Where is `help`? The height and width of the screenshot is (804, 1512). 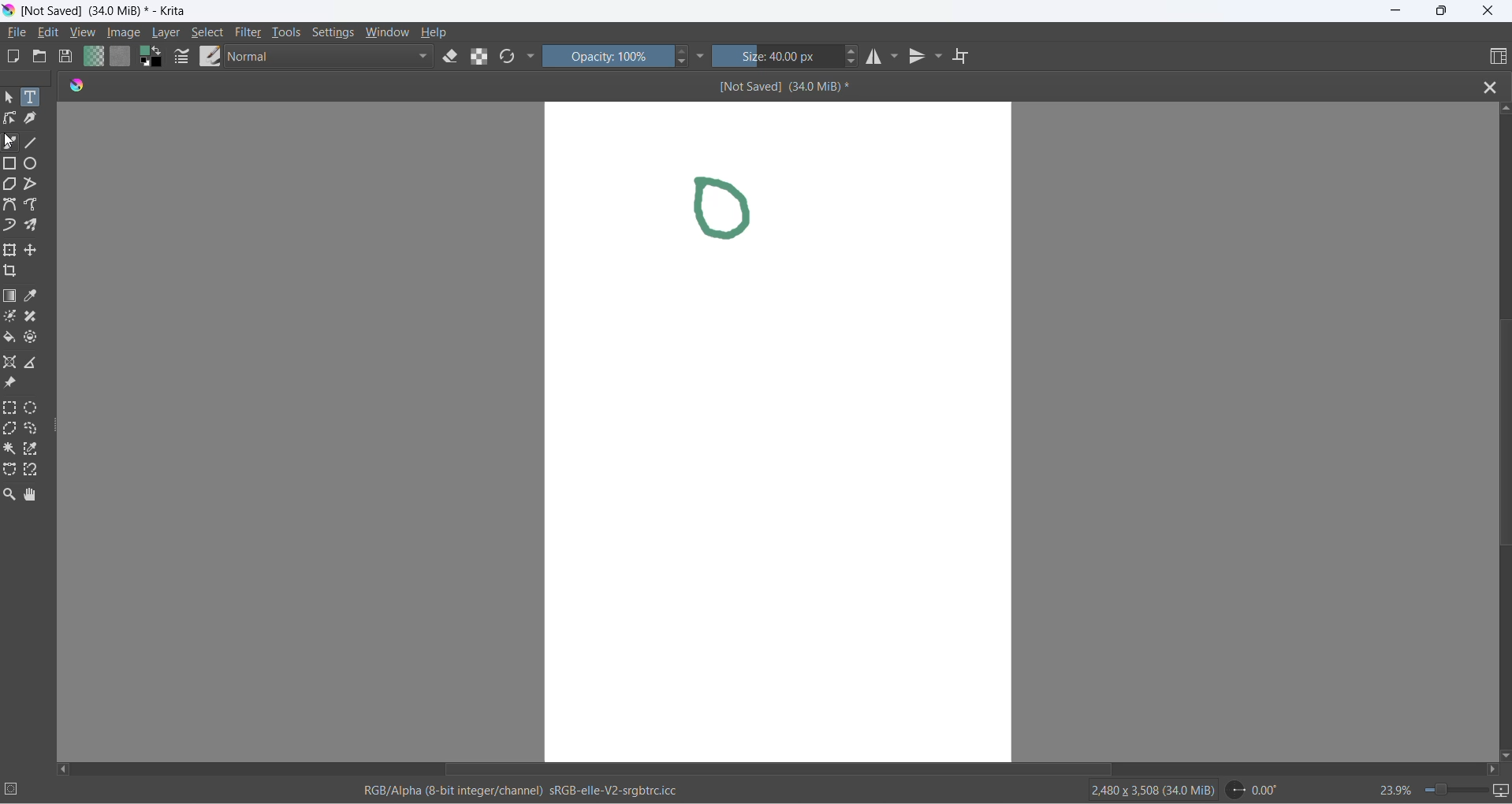
help is located at coordinates (437, 32).